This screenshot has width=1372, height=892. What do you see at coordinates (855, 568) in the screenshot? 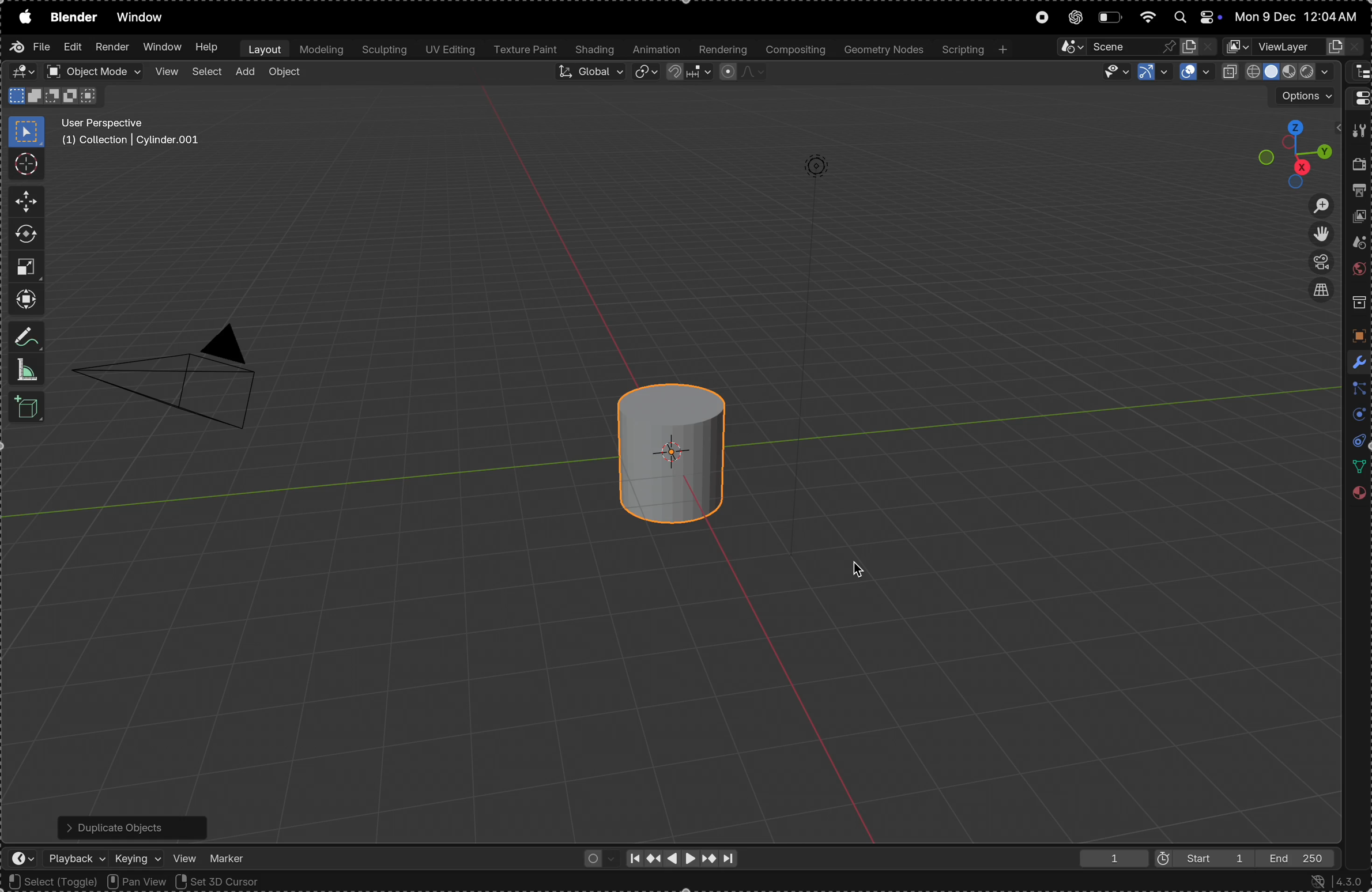
I see `cursor` at bounding box center [855, 568].